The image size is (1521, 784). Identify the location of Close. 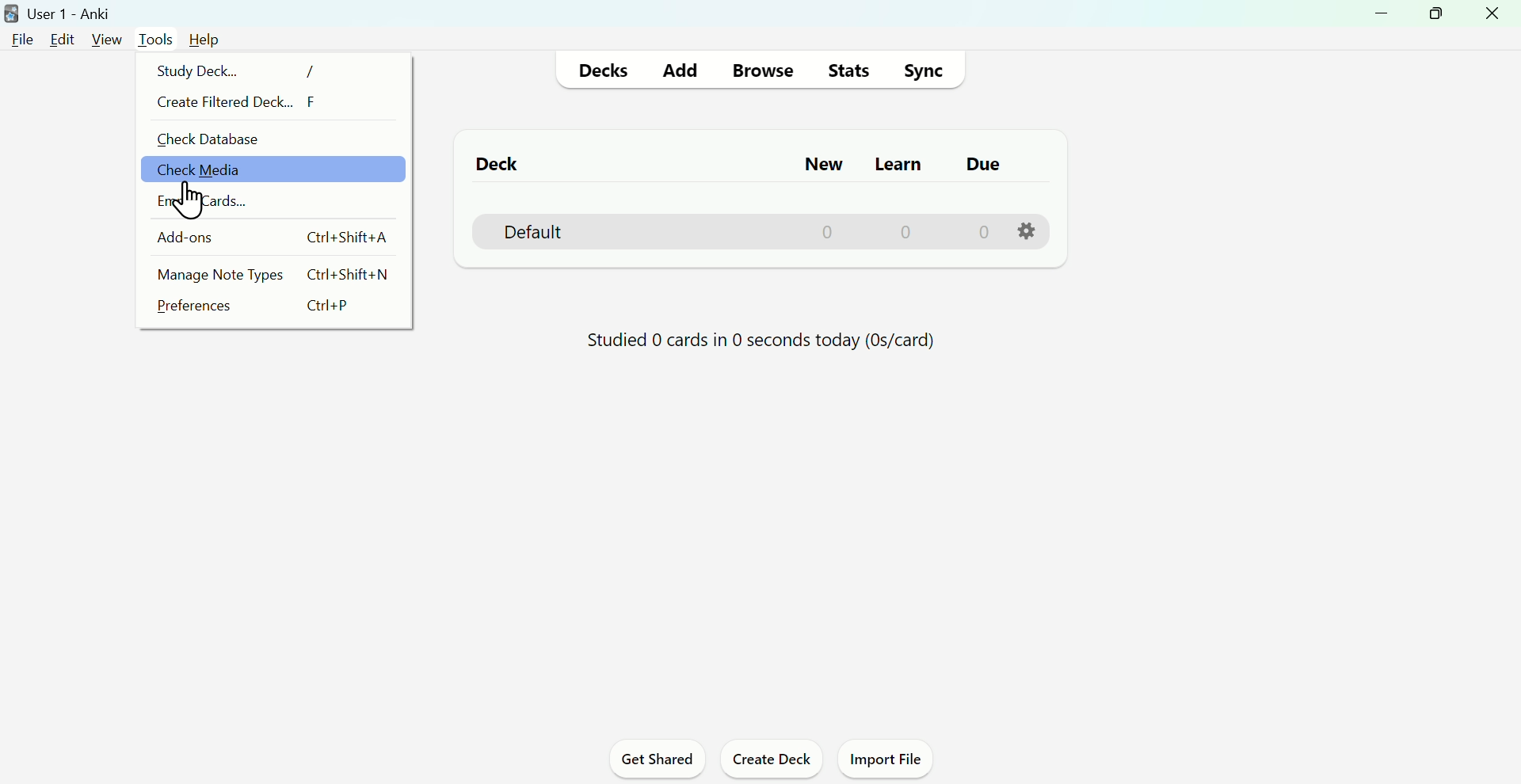
(1492, 17).